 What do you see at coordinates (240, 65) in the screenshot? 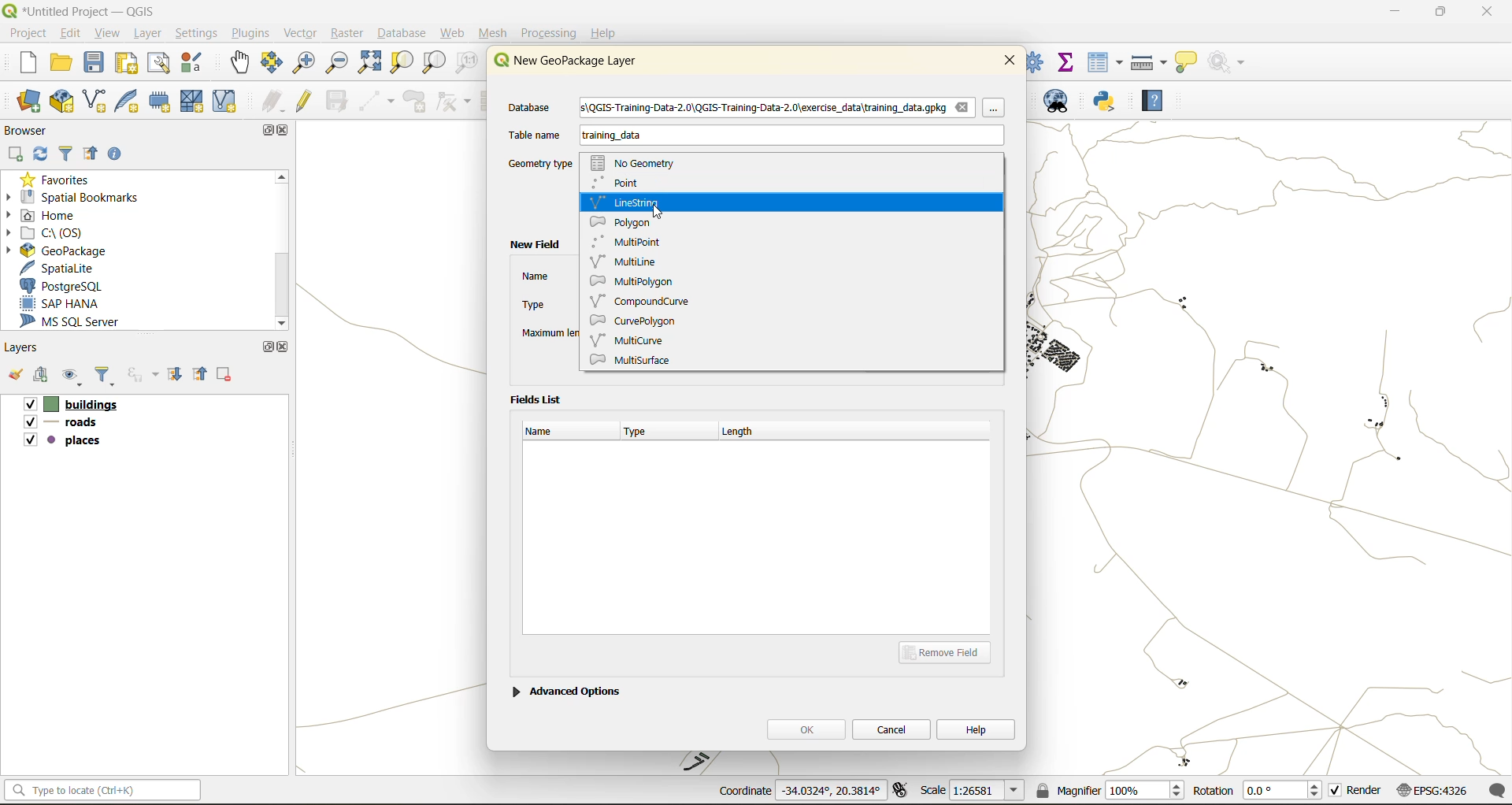
I see `pan map` at bounding box center [240, 65].